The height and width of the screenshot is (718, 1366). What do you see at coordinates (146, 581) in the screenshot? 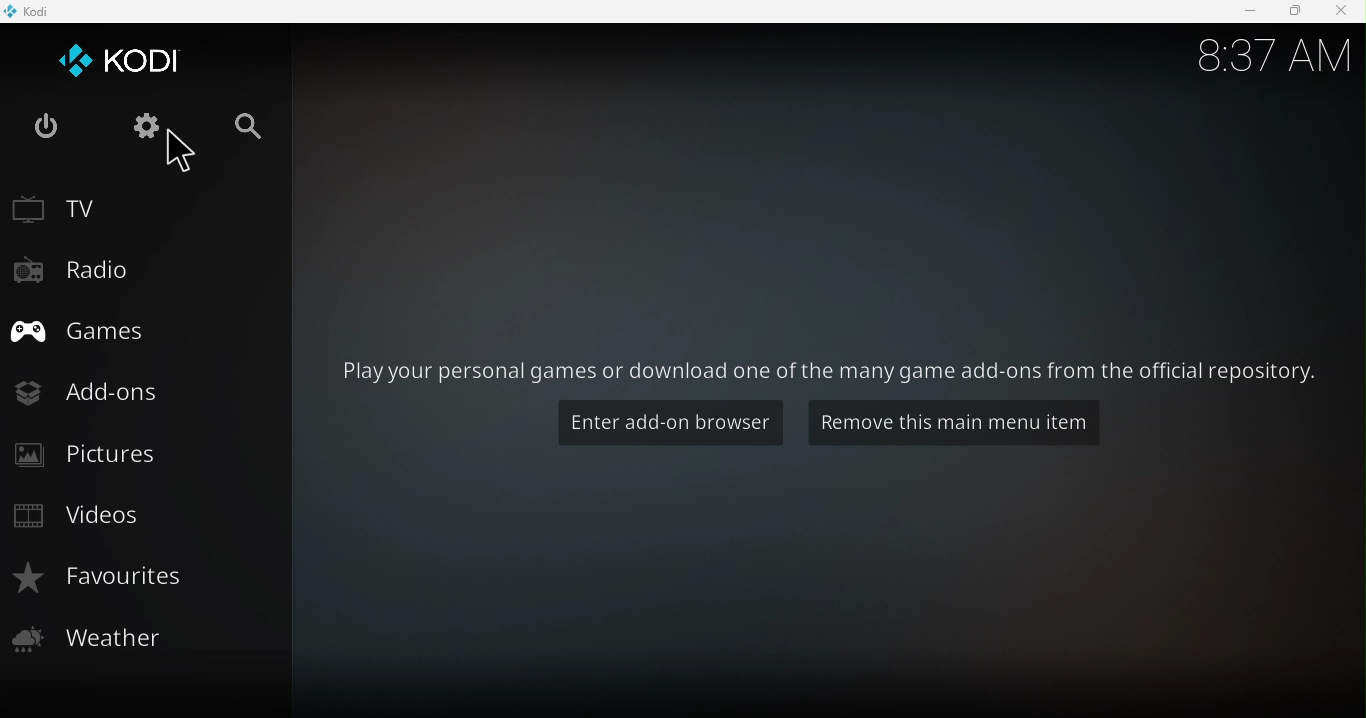
I see `Favourites` at bounding box center [146, 581].